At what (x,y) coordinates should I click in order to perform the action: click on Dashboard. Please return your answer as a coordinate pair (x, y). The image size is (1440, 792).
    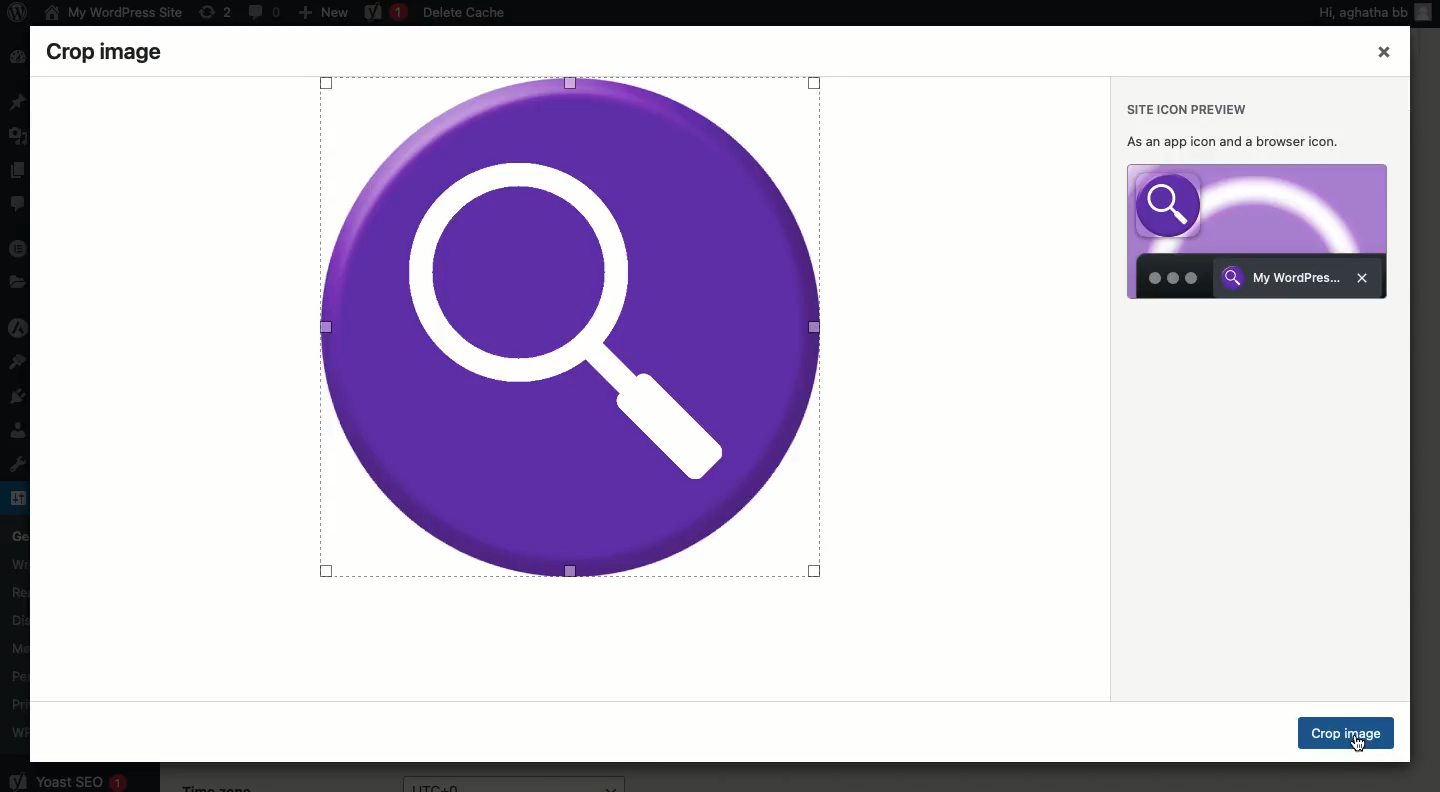
    Looking at the image, I should click on (16, 58).